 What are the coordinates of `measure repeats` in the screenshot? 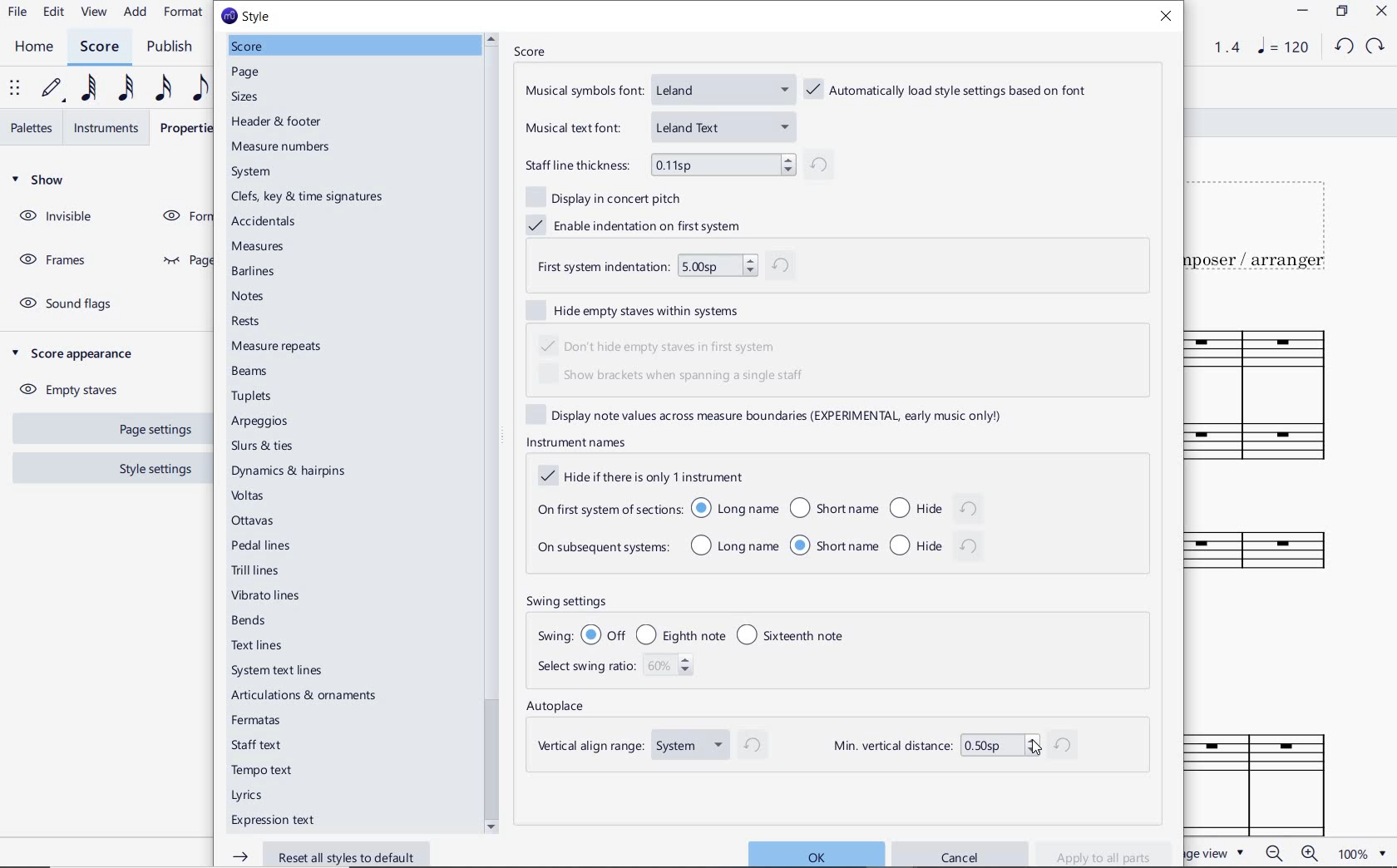 It's located at (276, 346).